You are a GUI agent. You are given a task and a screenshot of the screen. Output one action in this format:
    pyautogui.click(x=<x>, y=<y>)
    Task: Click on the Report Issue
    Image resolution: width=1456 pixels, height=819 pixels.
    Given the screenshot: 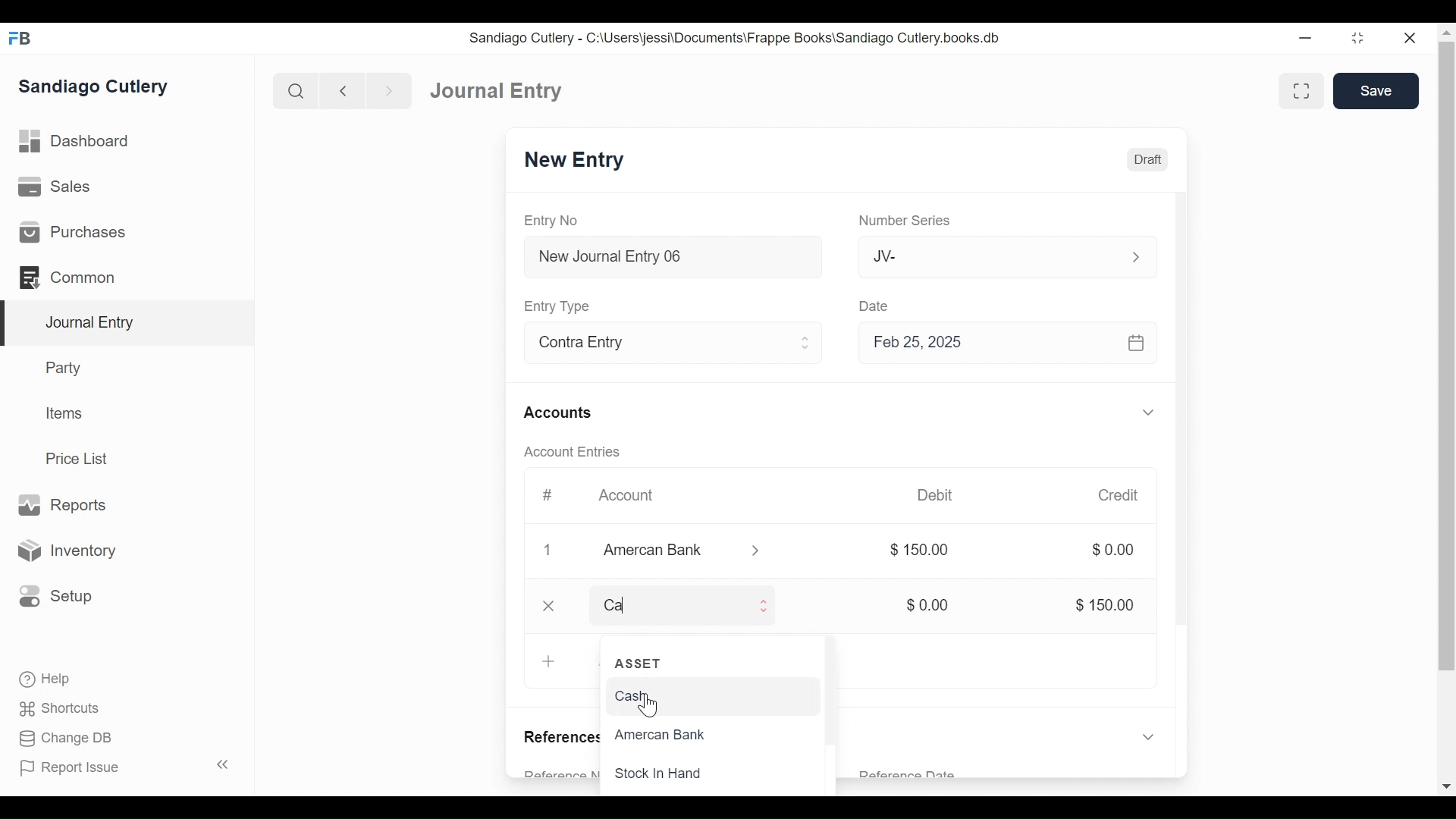 What is the action you would take?
    pyautogui.click(x=127, y=767)
    